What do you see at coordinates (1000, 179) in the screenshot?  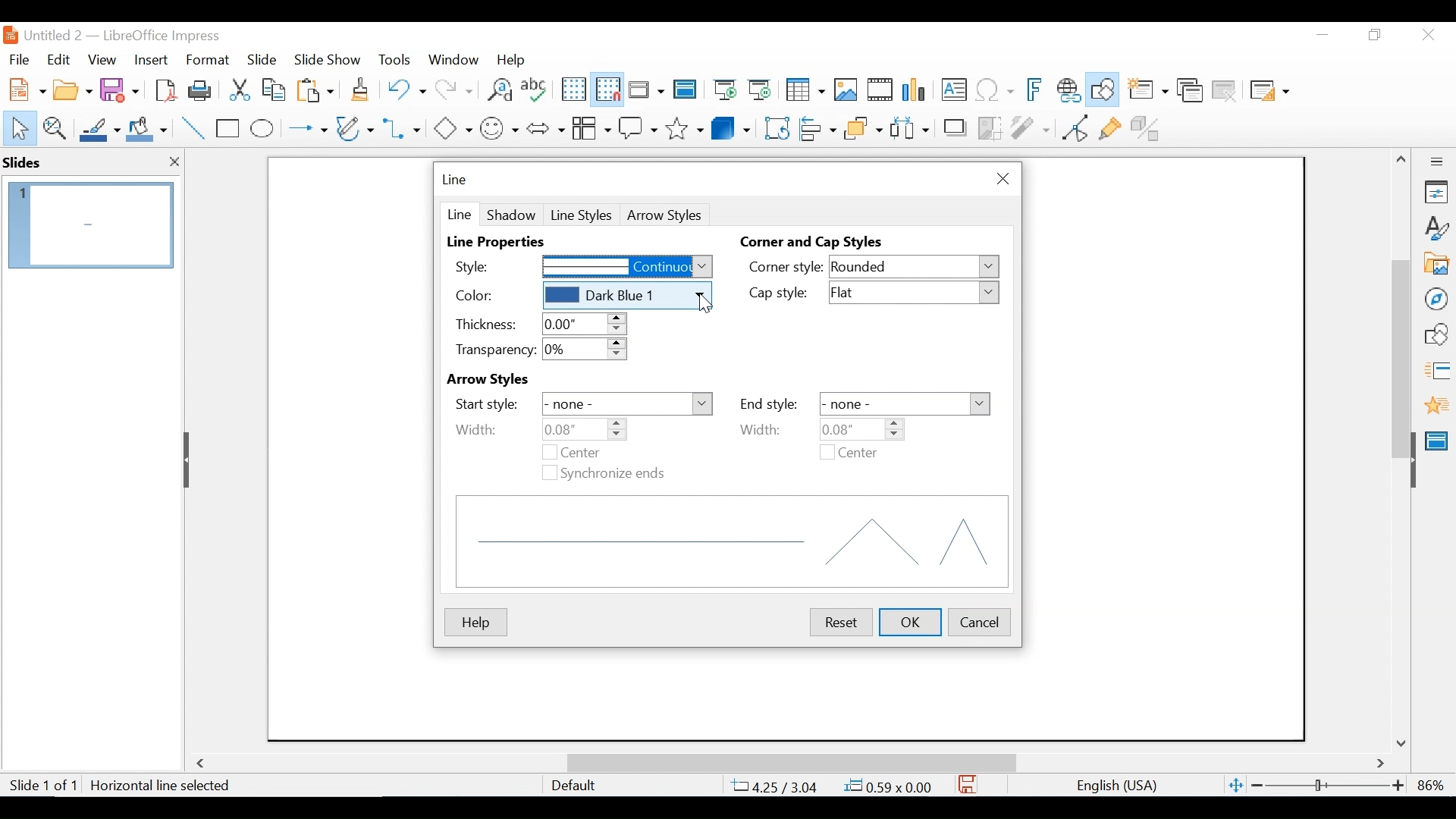 I see `Close` at bounding box center [1000, 179].